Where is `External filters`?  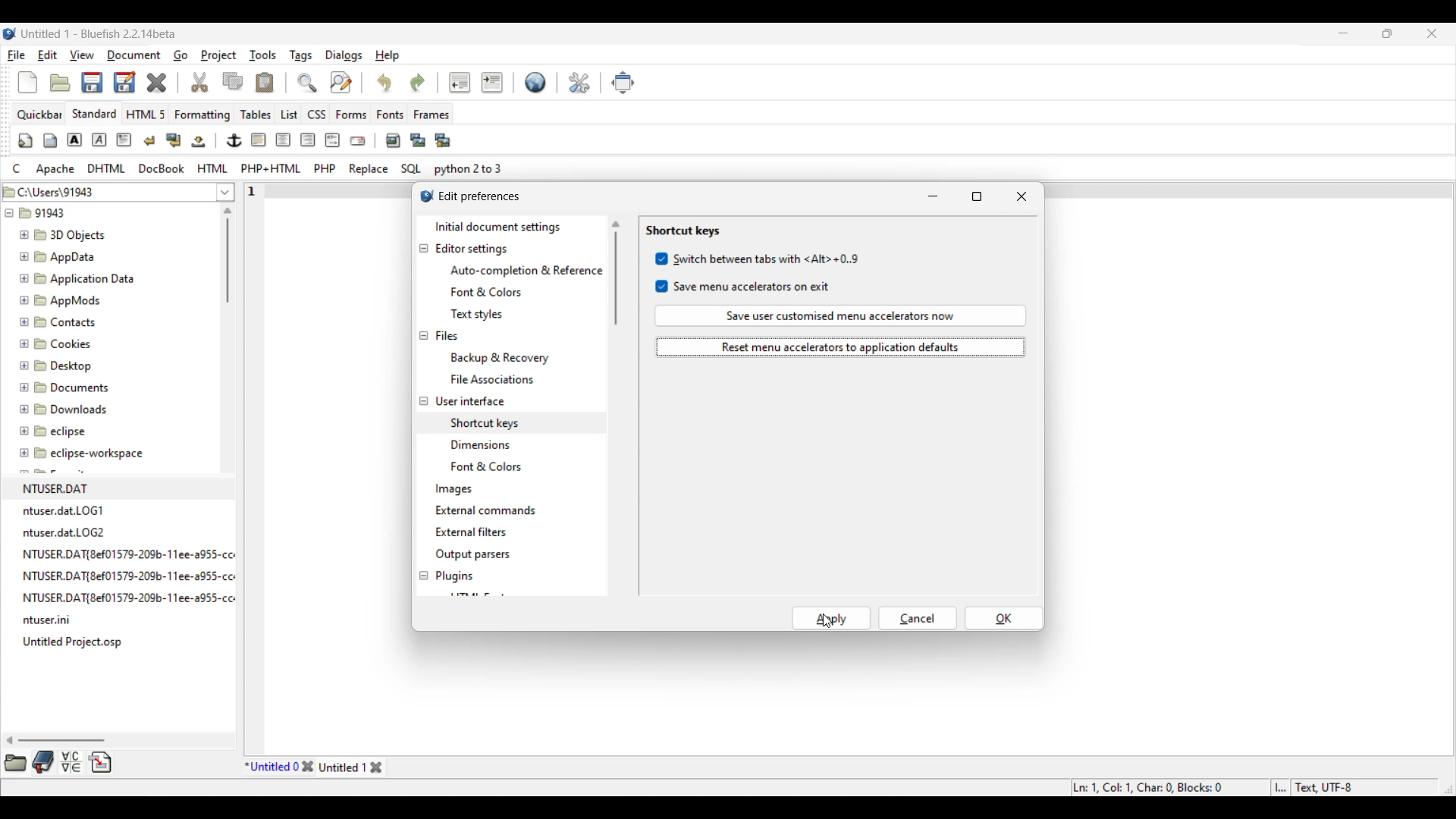 External filters is located at coordinates (471, 532).